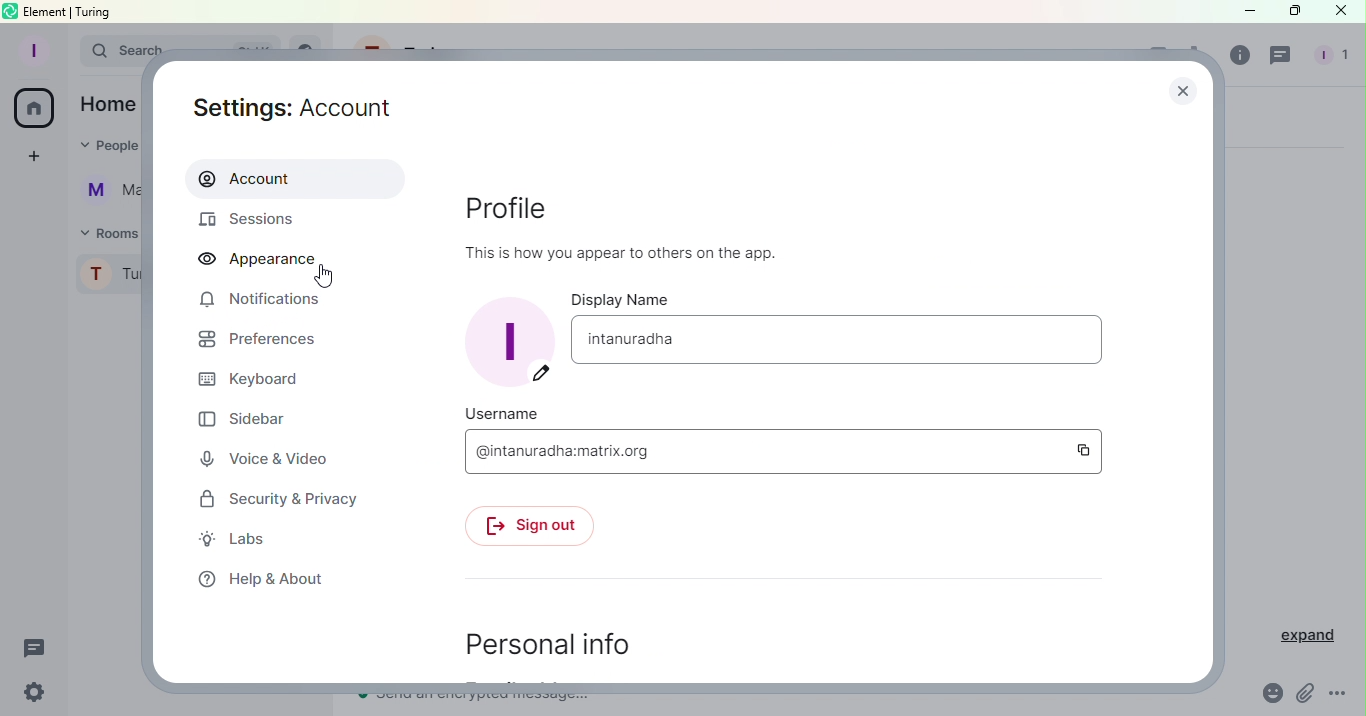  What do you see at coordinates (1302, 695) in the screenshot?
I see `Attachment` at bounding box center [1302, 695].